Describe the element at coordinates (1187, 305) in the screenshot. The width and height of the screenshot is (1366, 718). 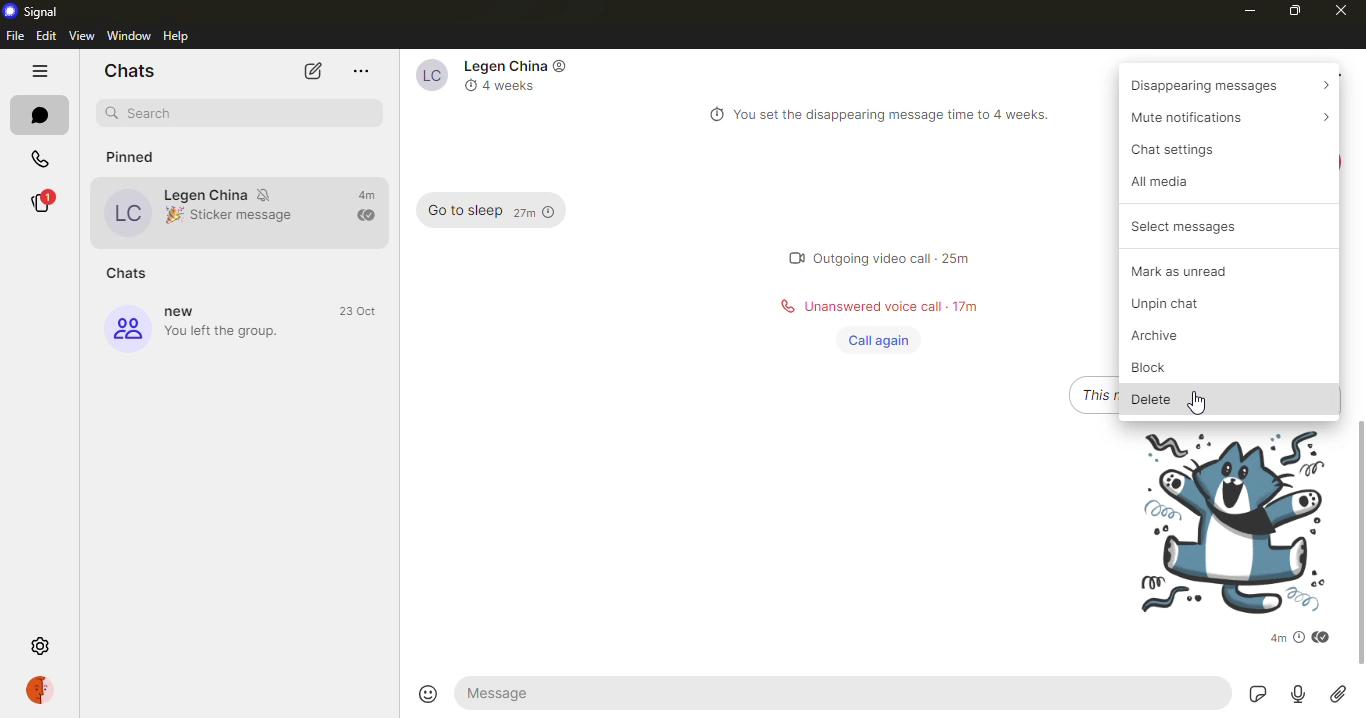
I see `unpin chat` at that location.